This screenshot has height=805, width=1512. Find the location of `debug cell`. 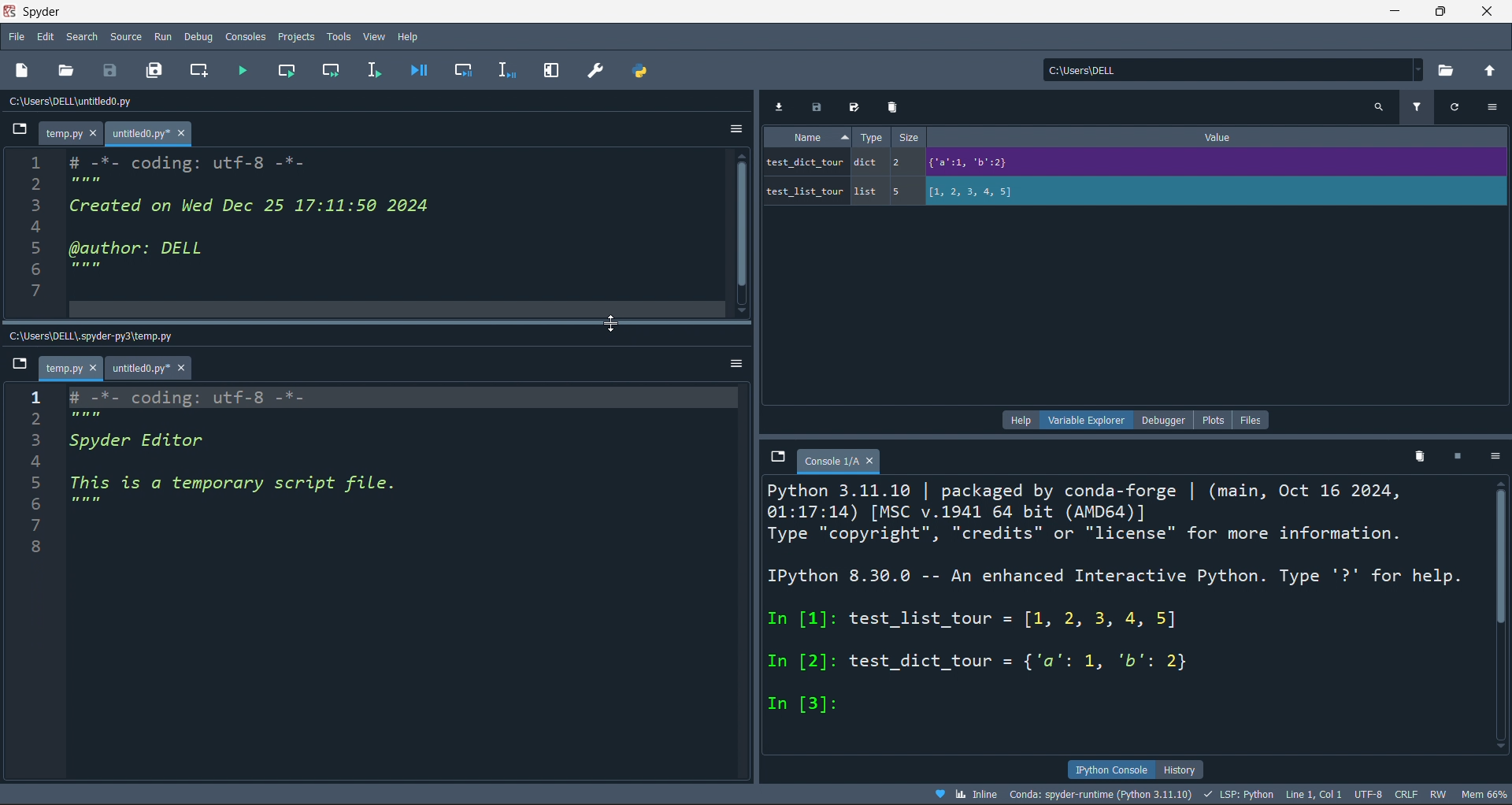

debug cell is located at coordinates (463, 70).